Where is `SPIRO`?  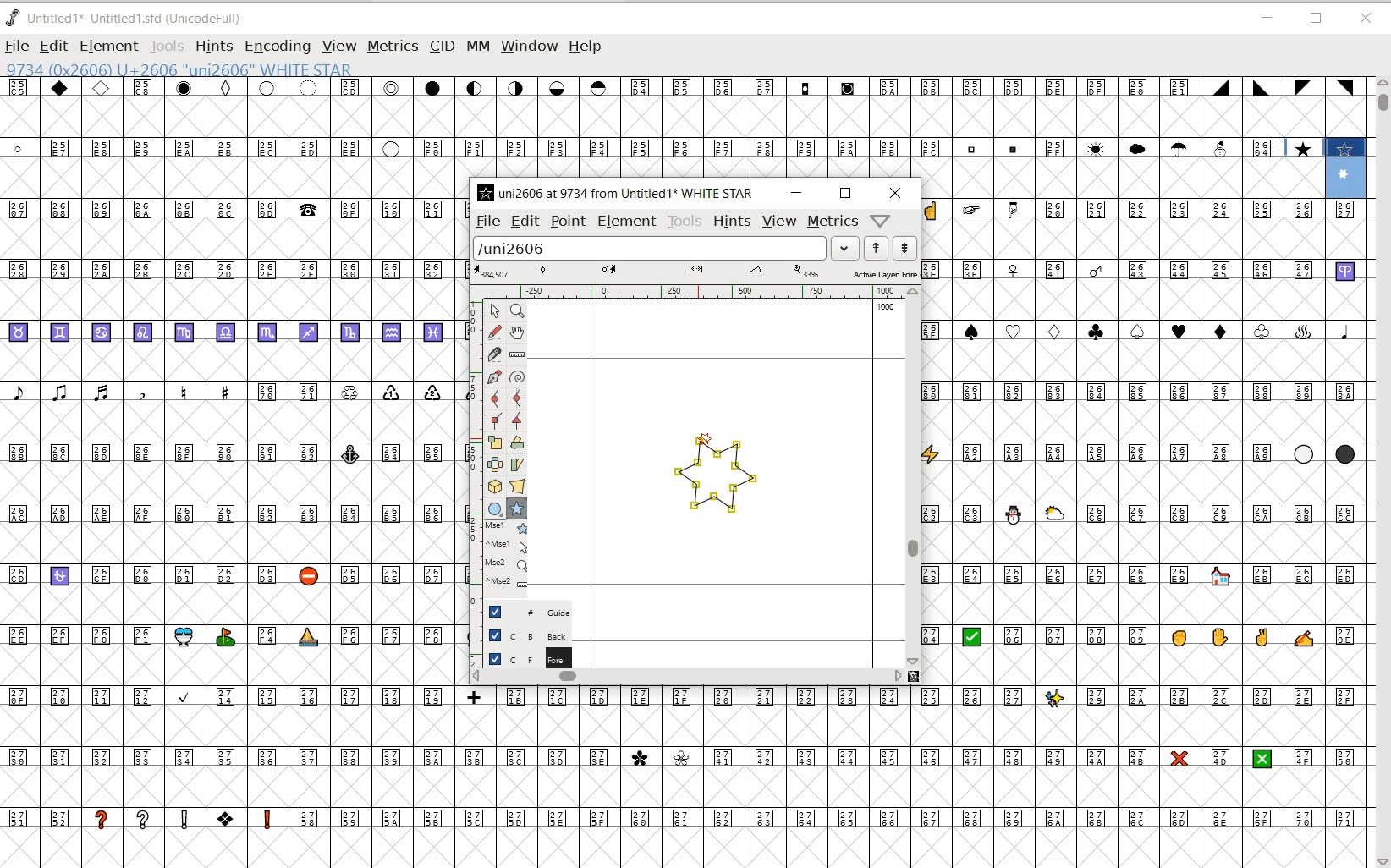
SPIRO is located at coordinates (518, 377).